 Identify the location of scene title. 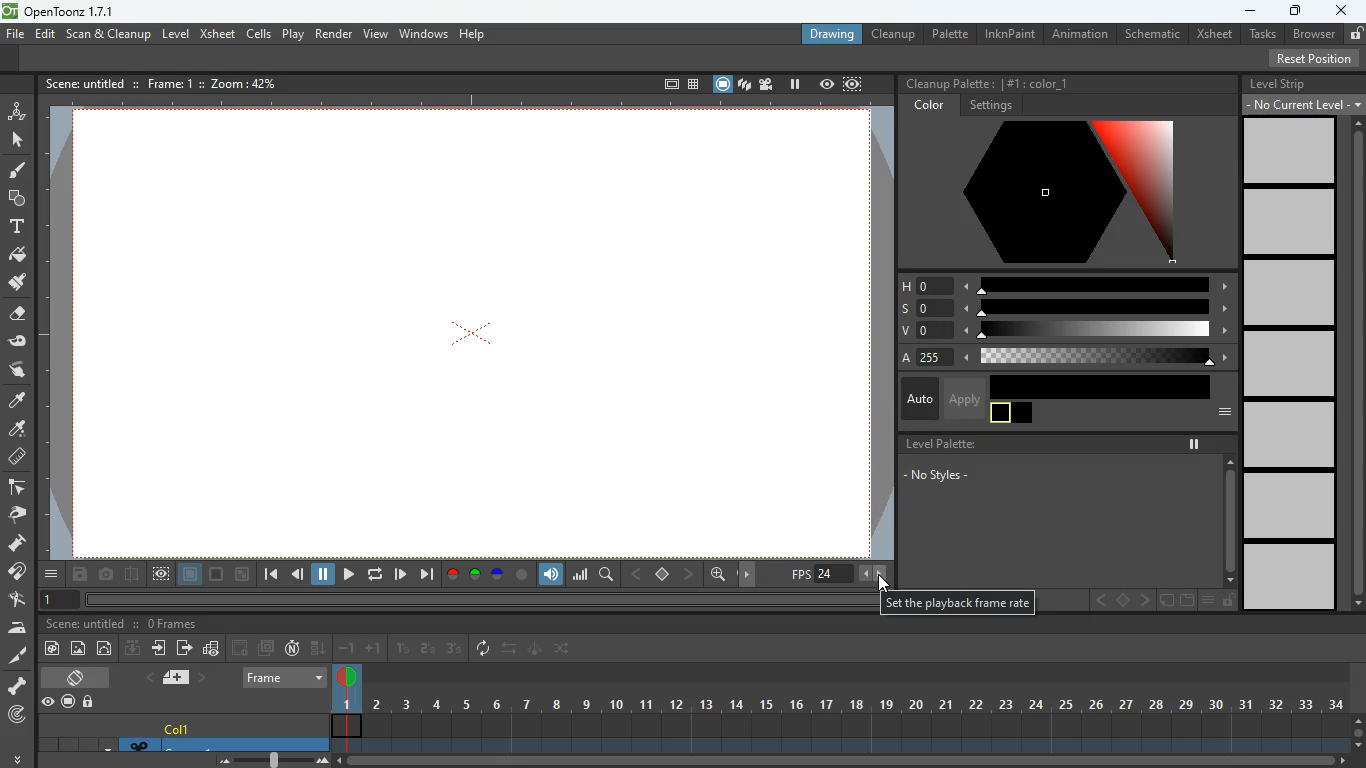
(85, 622).